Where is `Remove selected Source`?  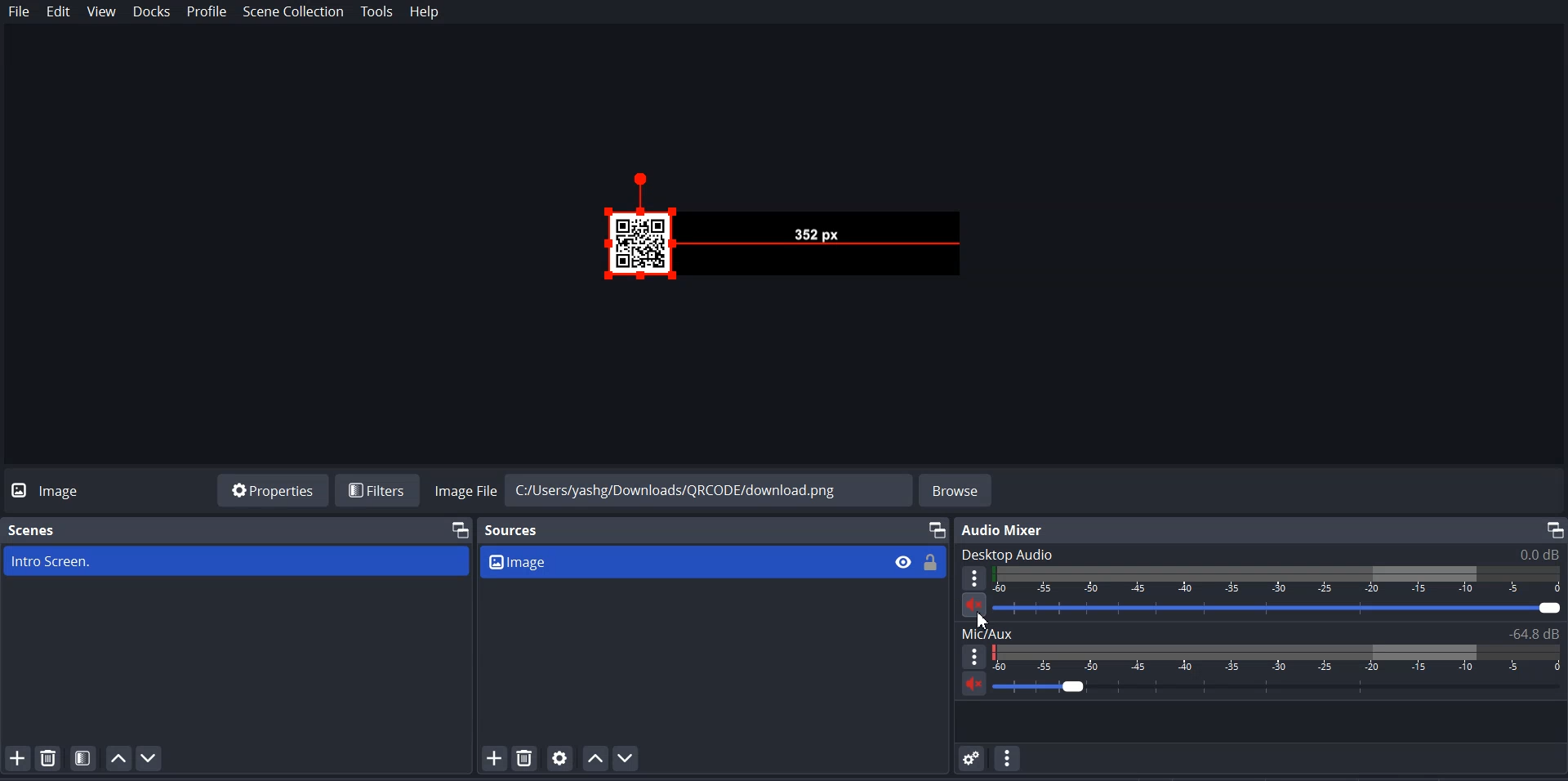
Remove selected Source is located at coordinates (523, 757).